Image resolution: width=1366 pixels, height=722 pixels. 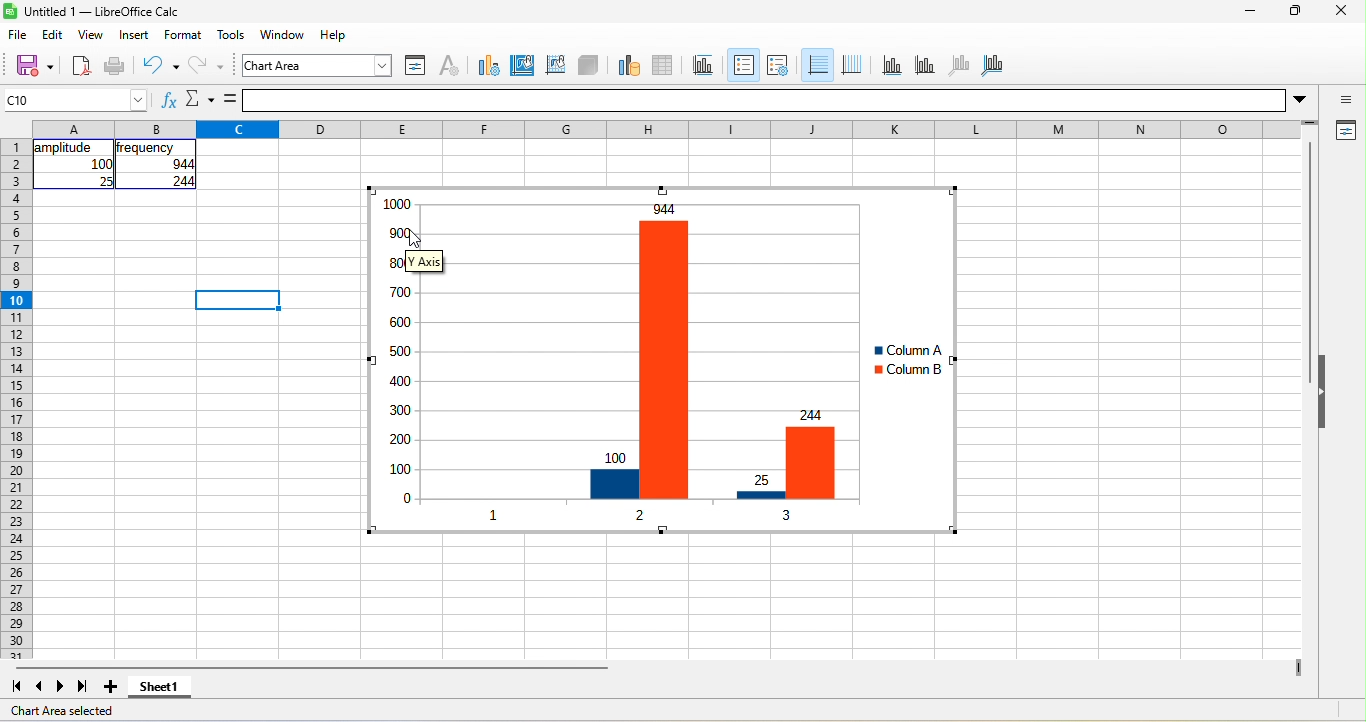 I want to click on column headings, so click(x=672, y=127).